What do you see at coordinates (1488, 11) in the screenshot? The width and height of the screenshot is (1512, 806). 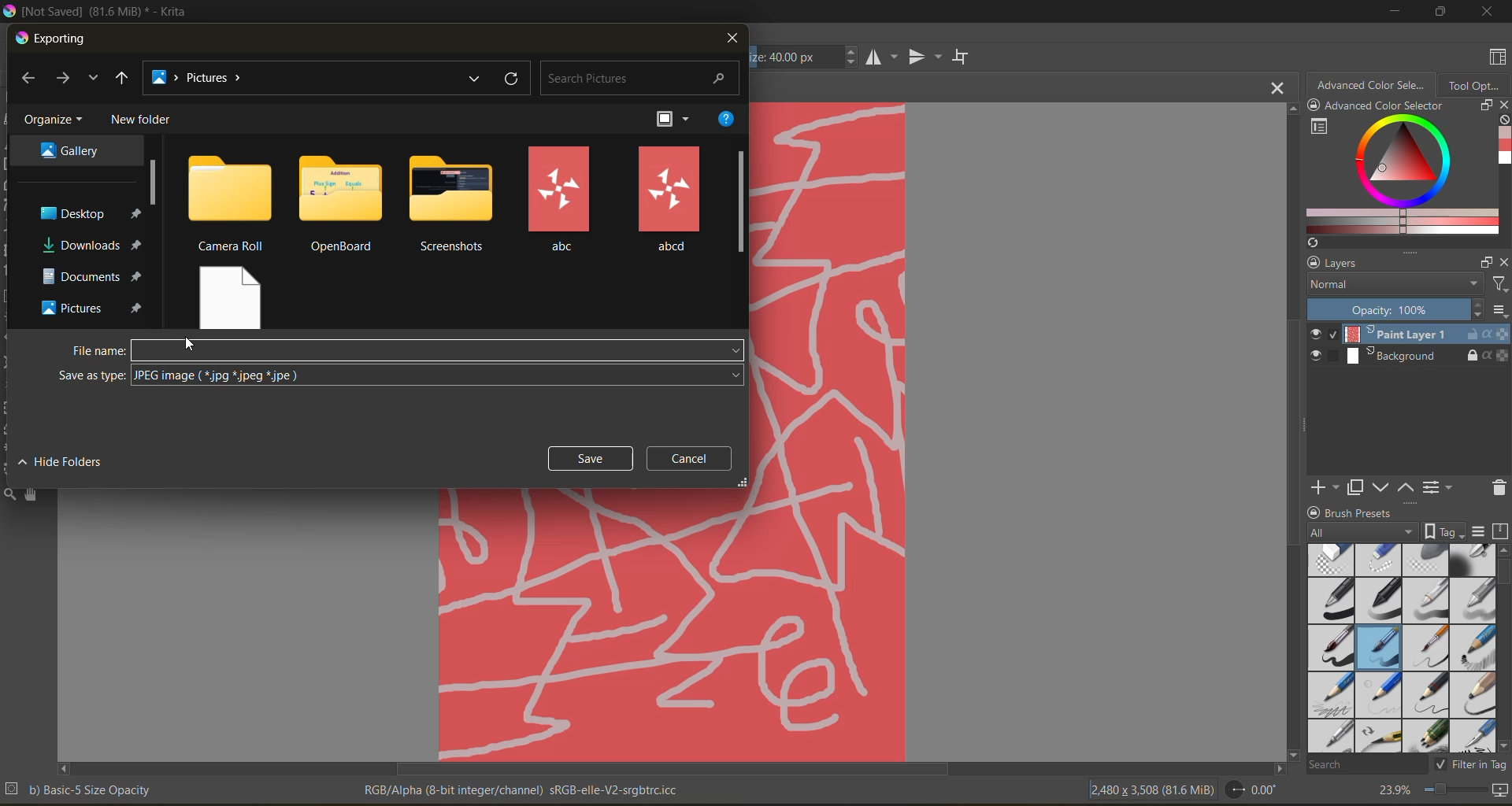 I see `close` at bounding box center [1488, 11].